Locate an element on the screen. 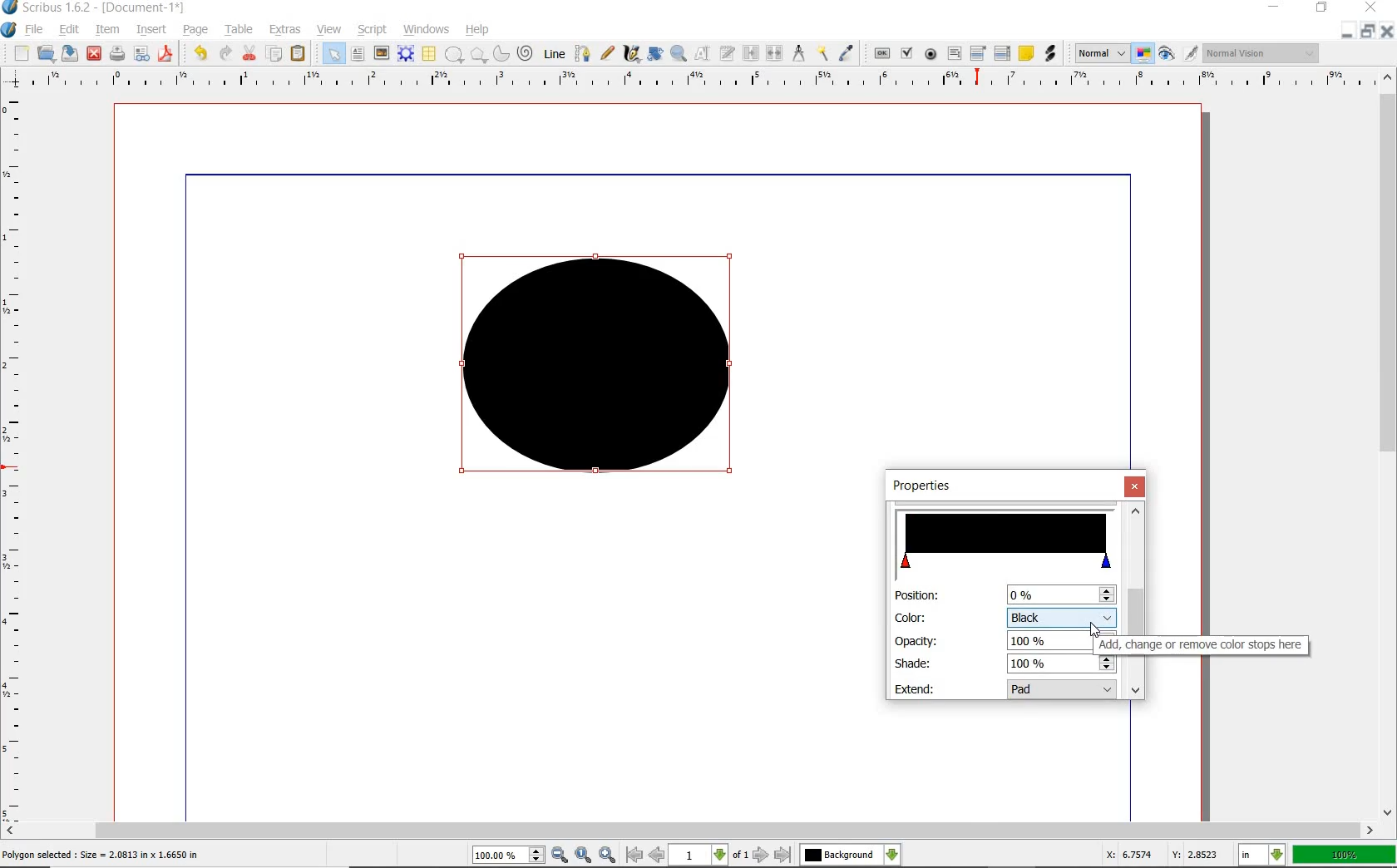 Image resolution: width=1397 pixels, height=868 pixels. ZOOM IN OR OUT is located at coordinates (678, 54).